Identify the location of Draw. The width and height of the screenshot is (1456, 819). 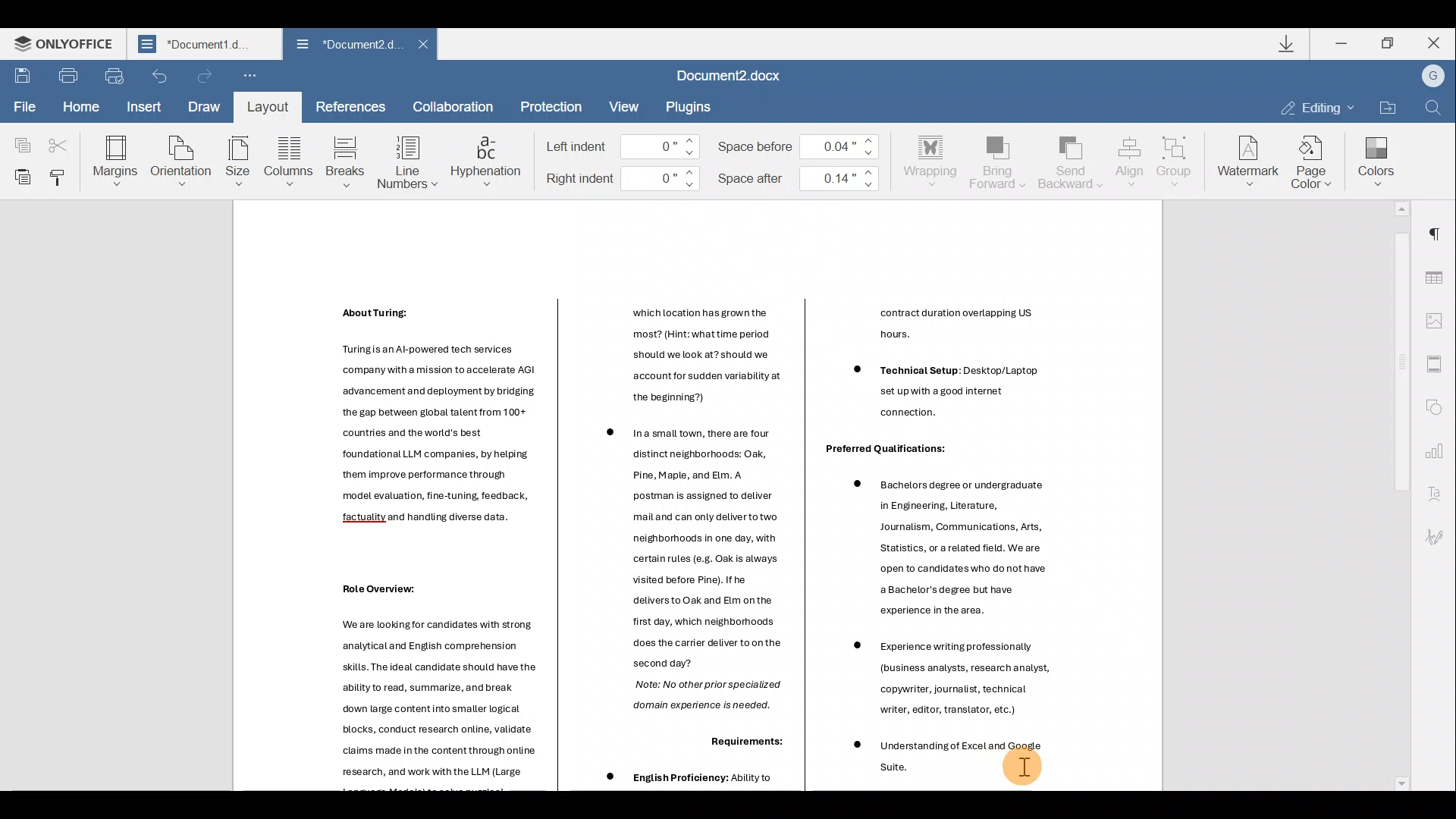
(205, 104).